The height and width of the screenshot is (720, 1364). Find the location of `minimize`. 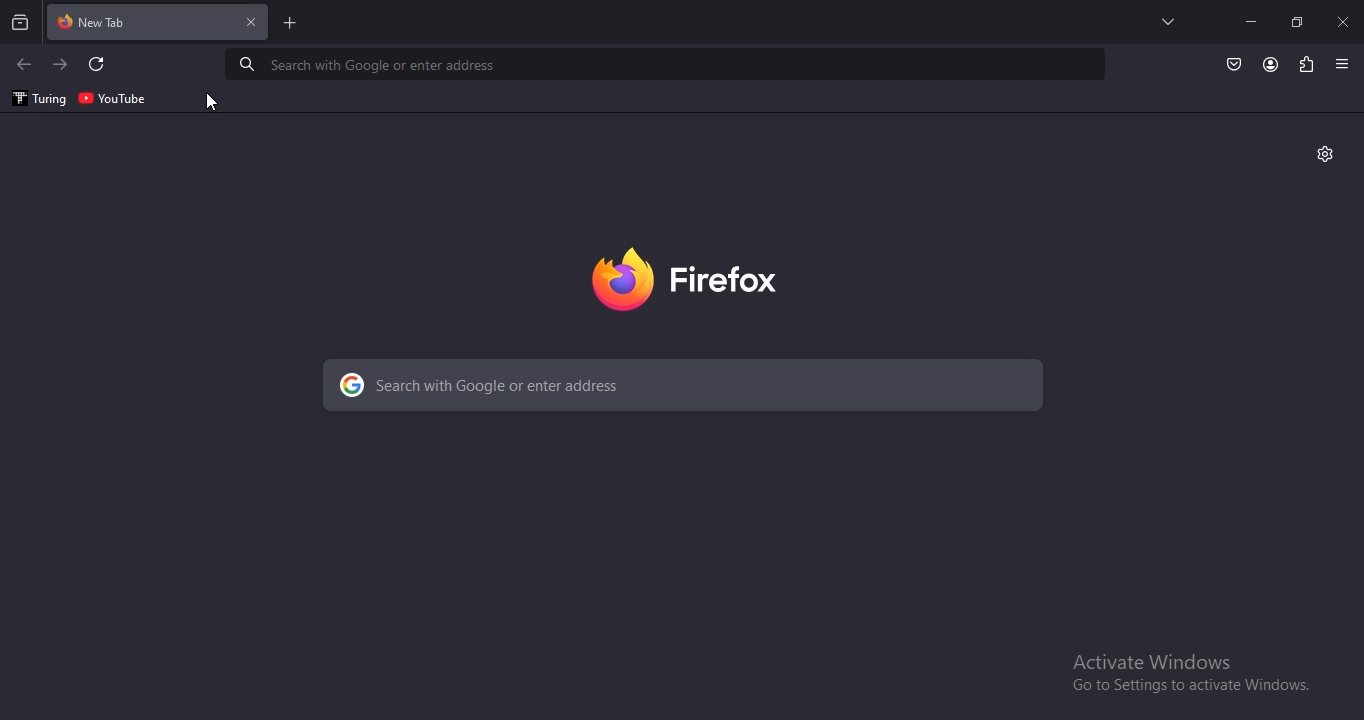

minimize is located at coordinates (1251, 22).